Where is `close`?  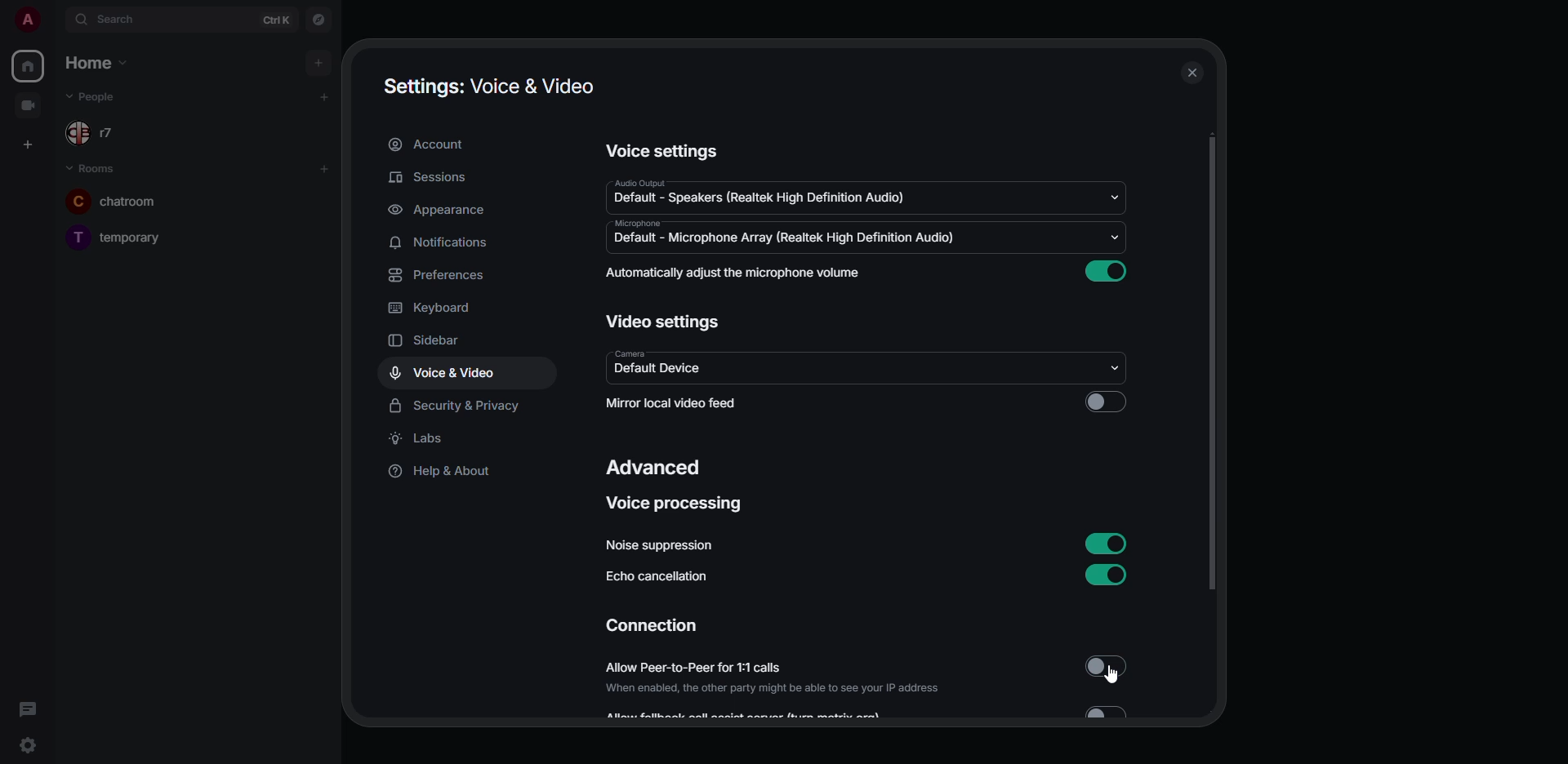
close is located at coordinates (1191, 73).